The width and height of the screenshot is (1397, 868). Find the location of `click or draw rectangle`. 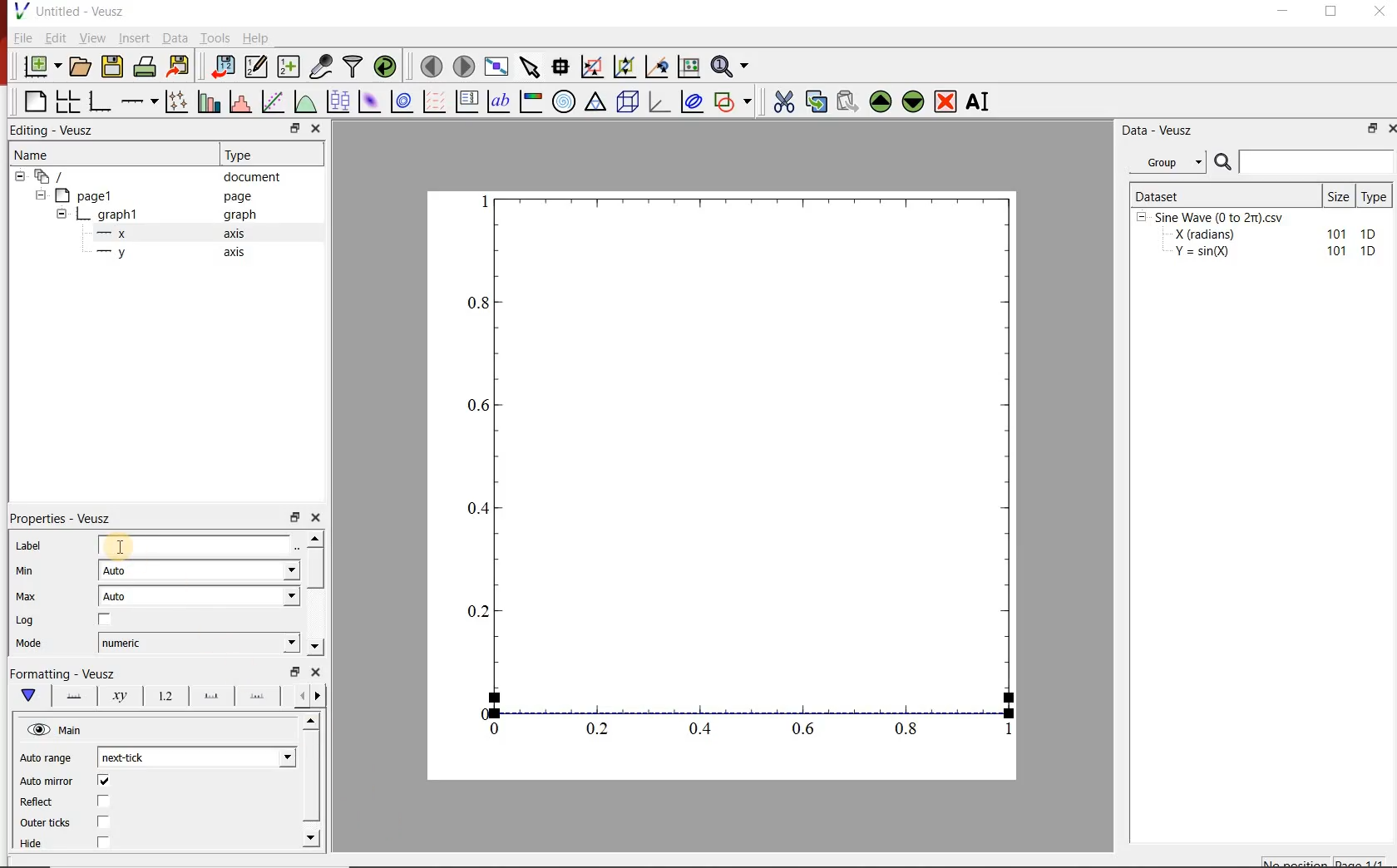

click or draw rectangle is located at coordinates (592, 65).